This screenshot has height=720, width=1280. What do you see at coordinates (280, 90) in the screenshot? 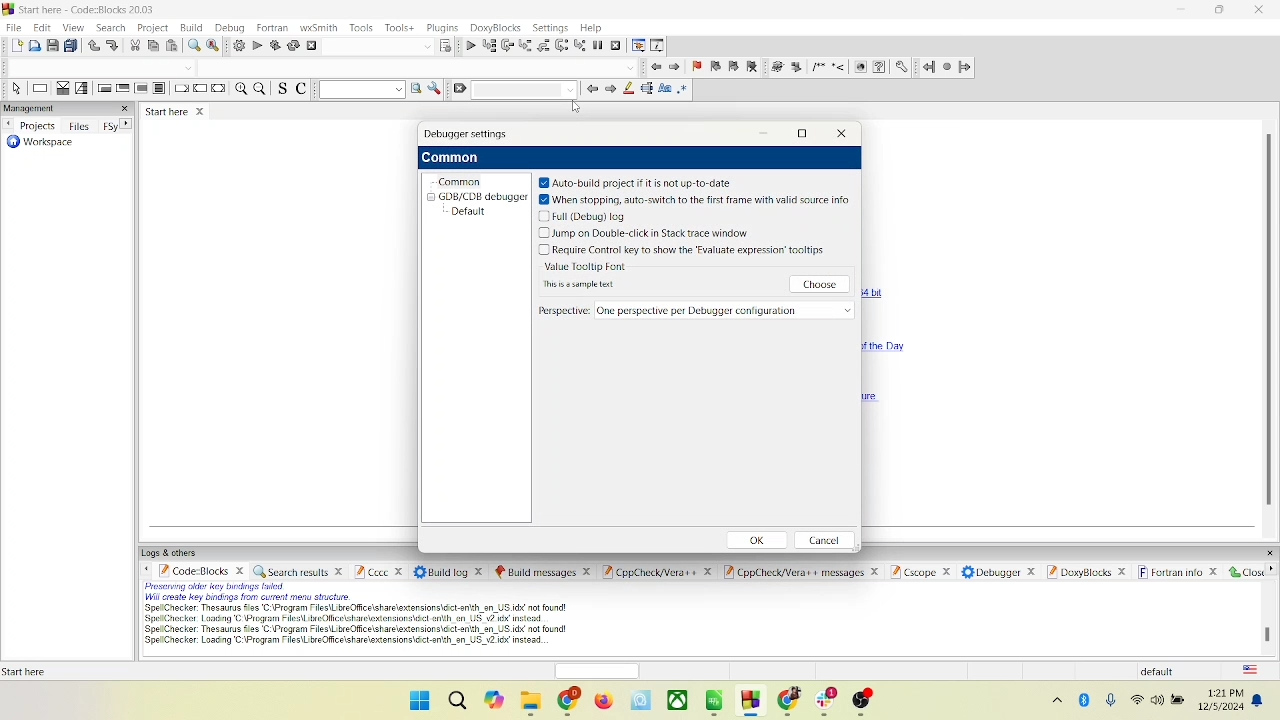
I see `toggle source` at bounding box center [280, 90].